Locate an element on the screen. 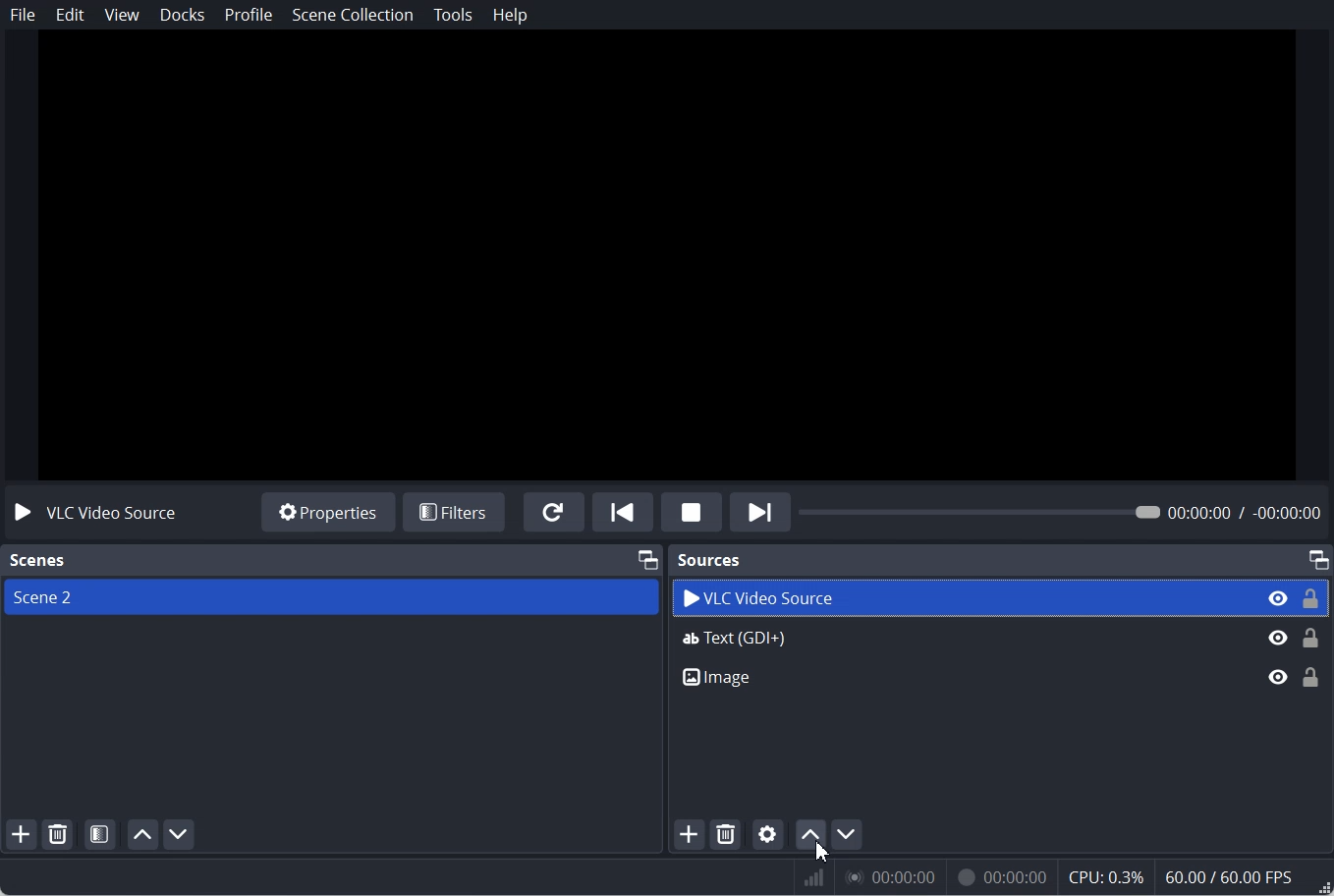 The width and height of the screenshot is (1334, 896). View is located at coordinates (122, 15).